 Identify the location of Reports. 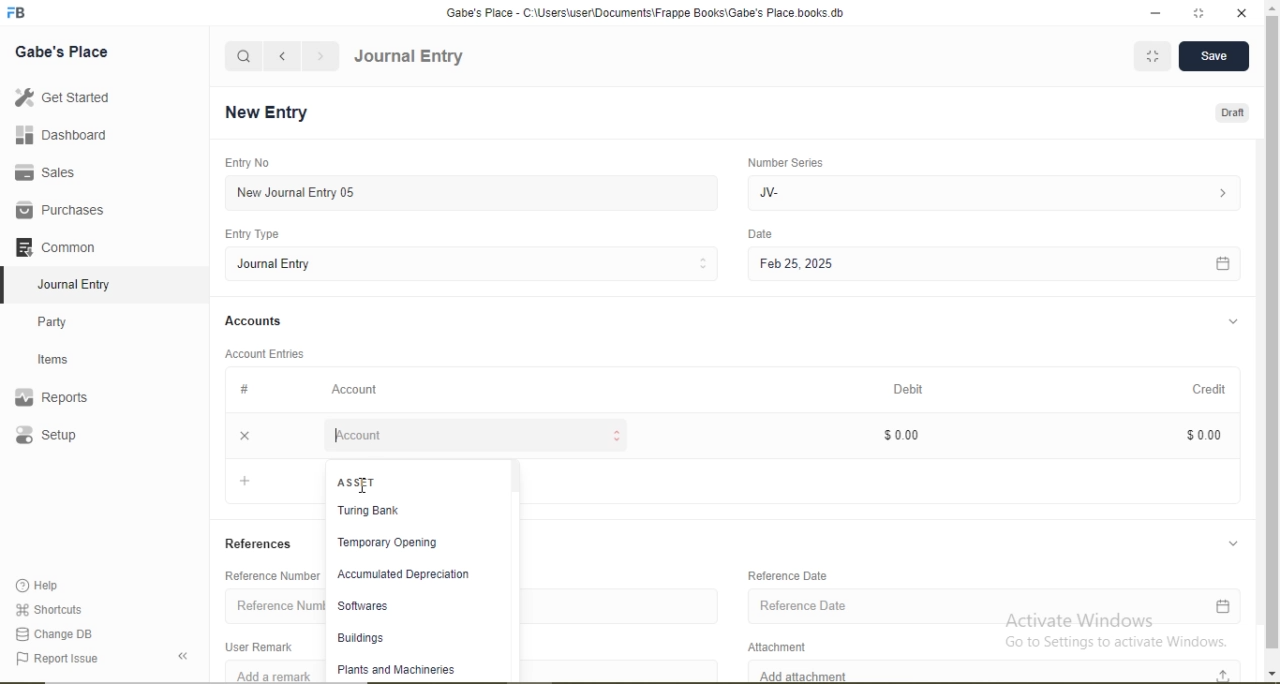
(61, 398).